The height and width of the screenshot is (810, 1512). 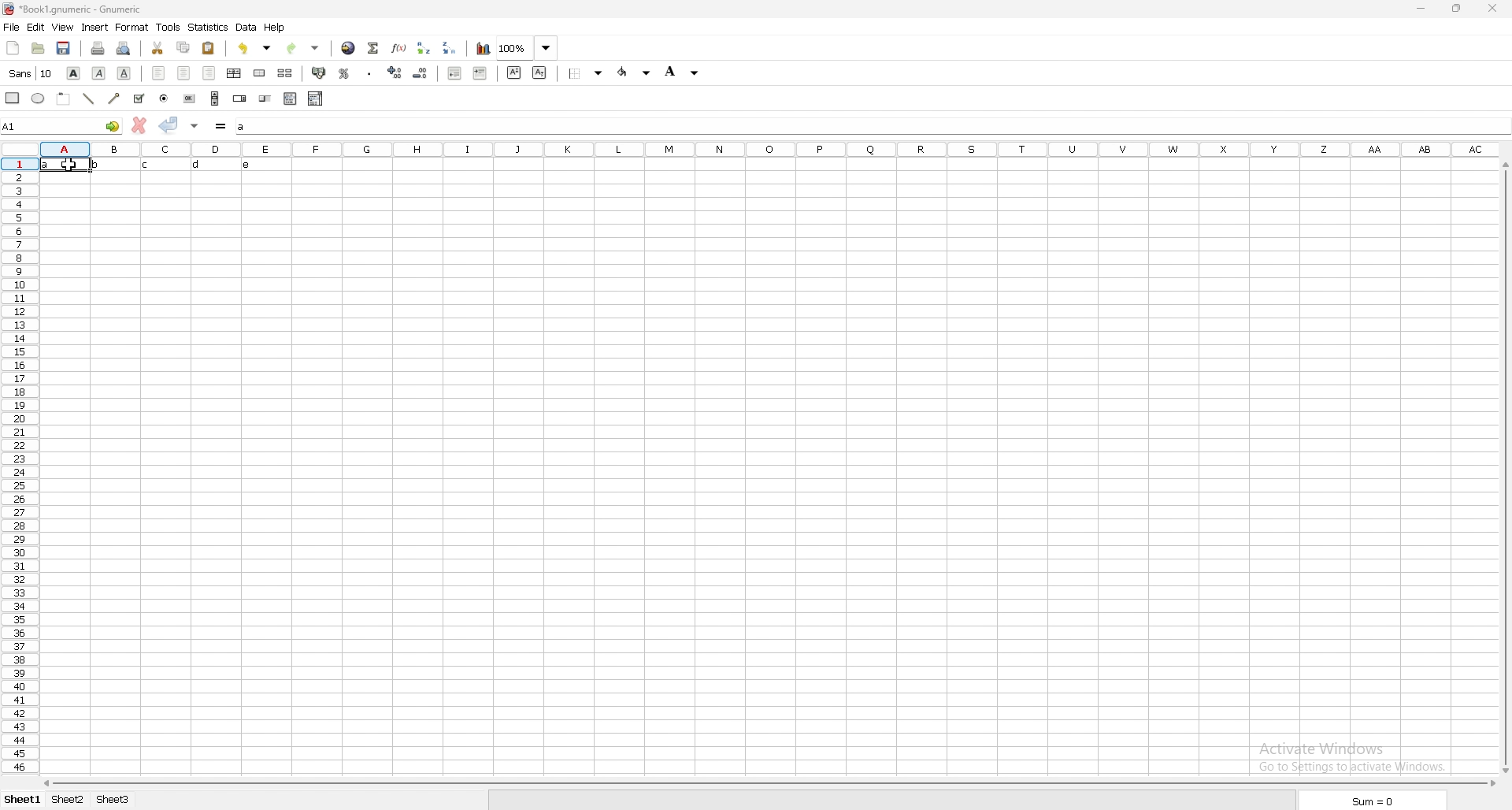 What do you see at coordinates (188, 98) in the screenshot?
I see `button` at bounding box center [188, 98].